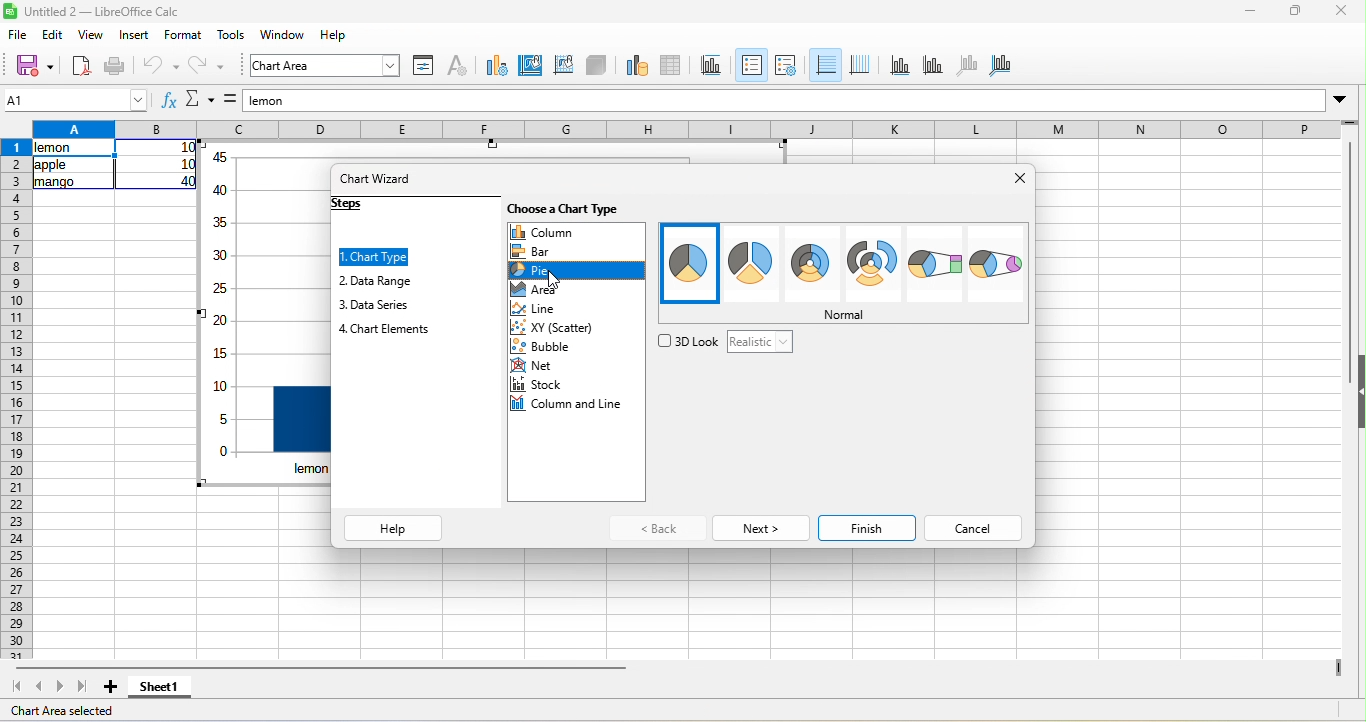  What do you see at coordinates (539, 384) in the screenshot?
I see `stock` at bounding box center [539, 384].